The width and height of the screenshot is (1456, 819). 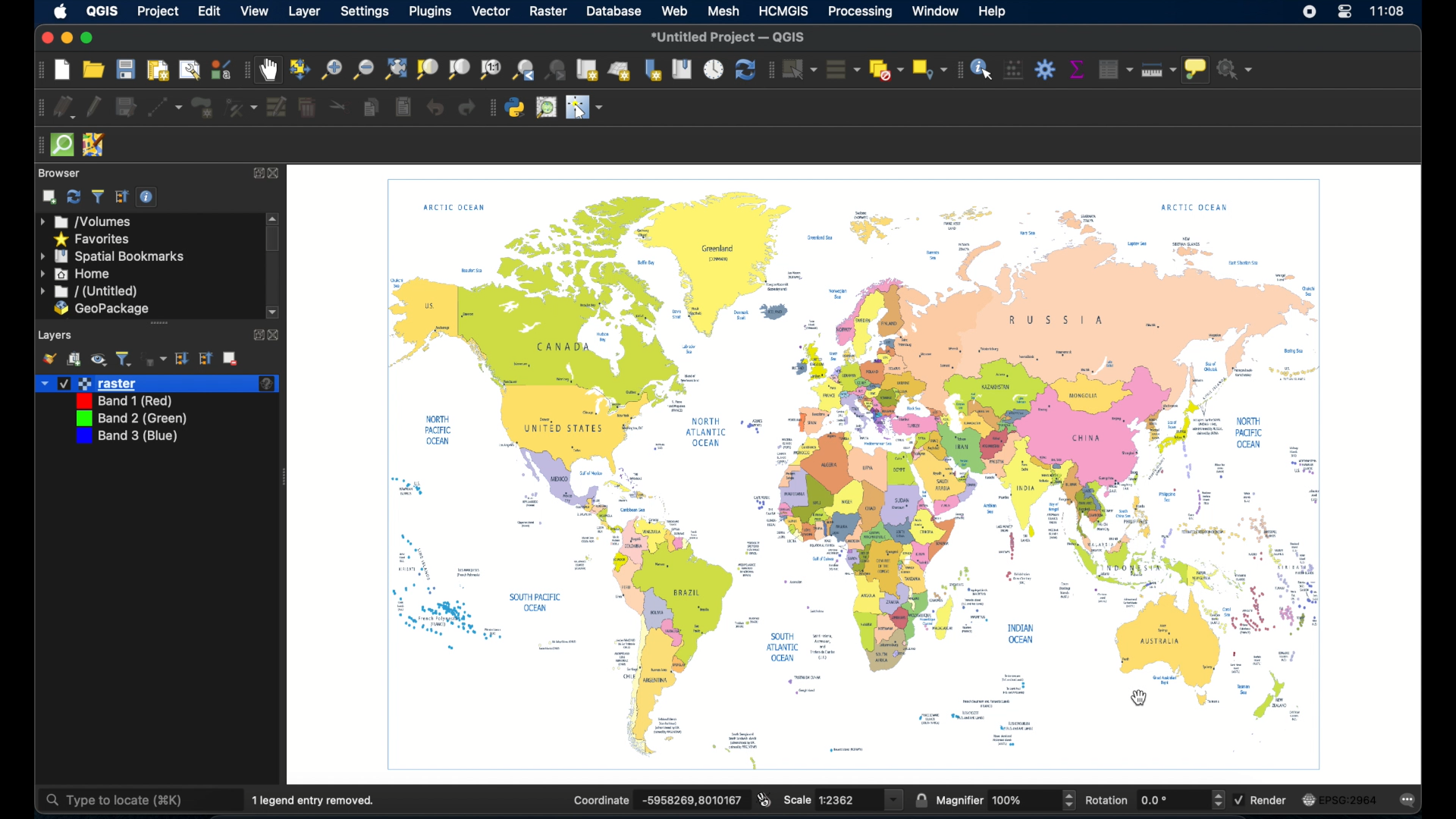 I want to click on toggle extents and mouse position display, so click(x=766, y=799).